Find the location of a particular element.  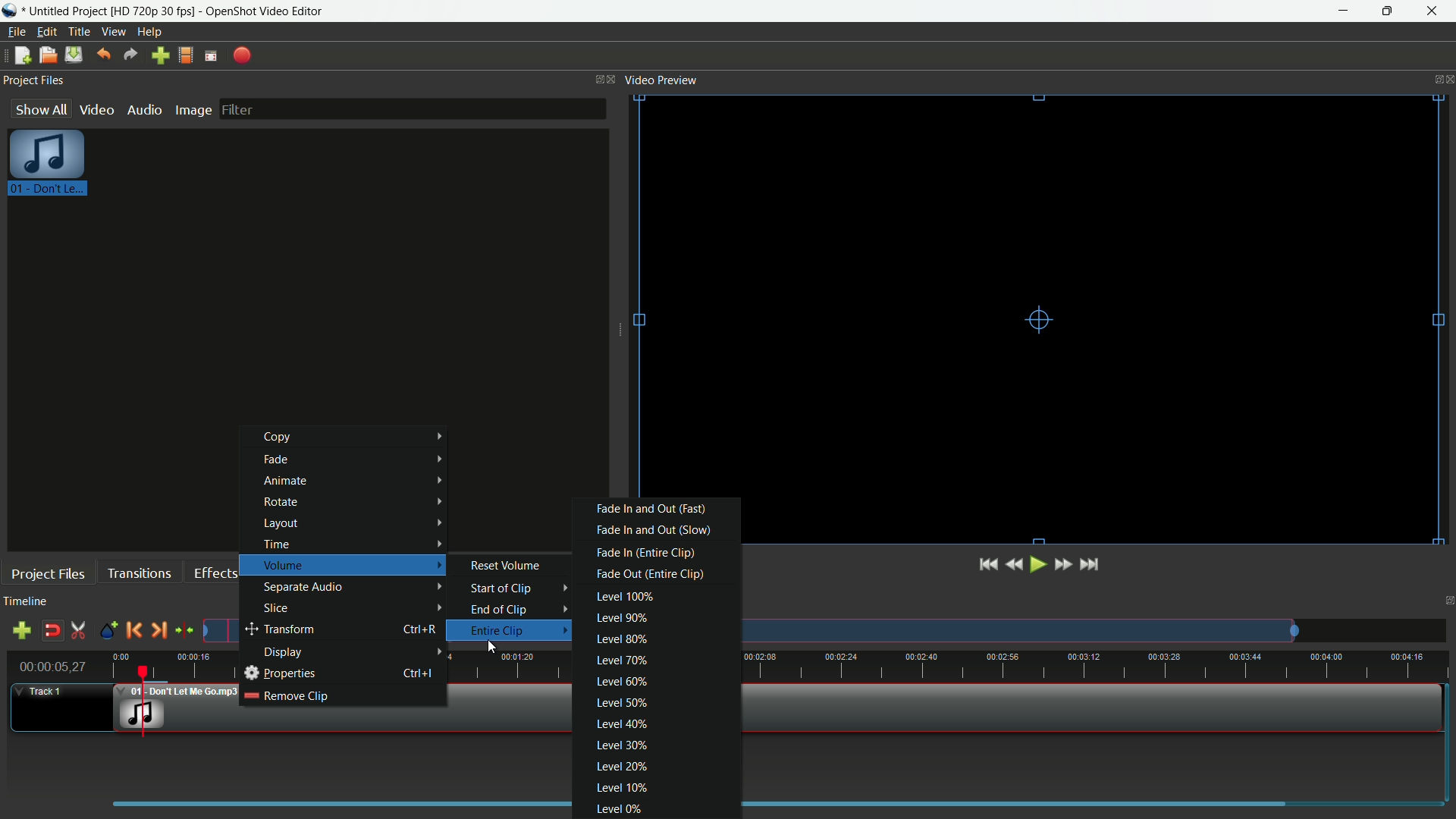

edit menu is located at coordinates (46, 31).